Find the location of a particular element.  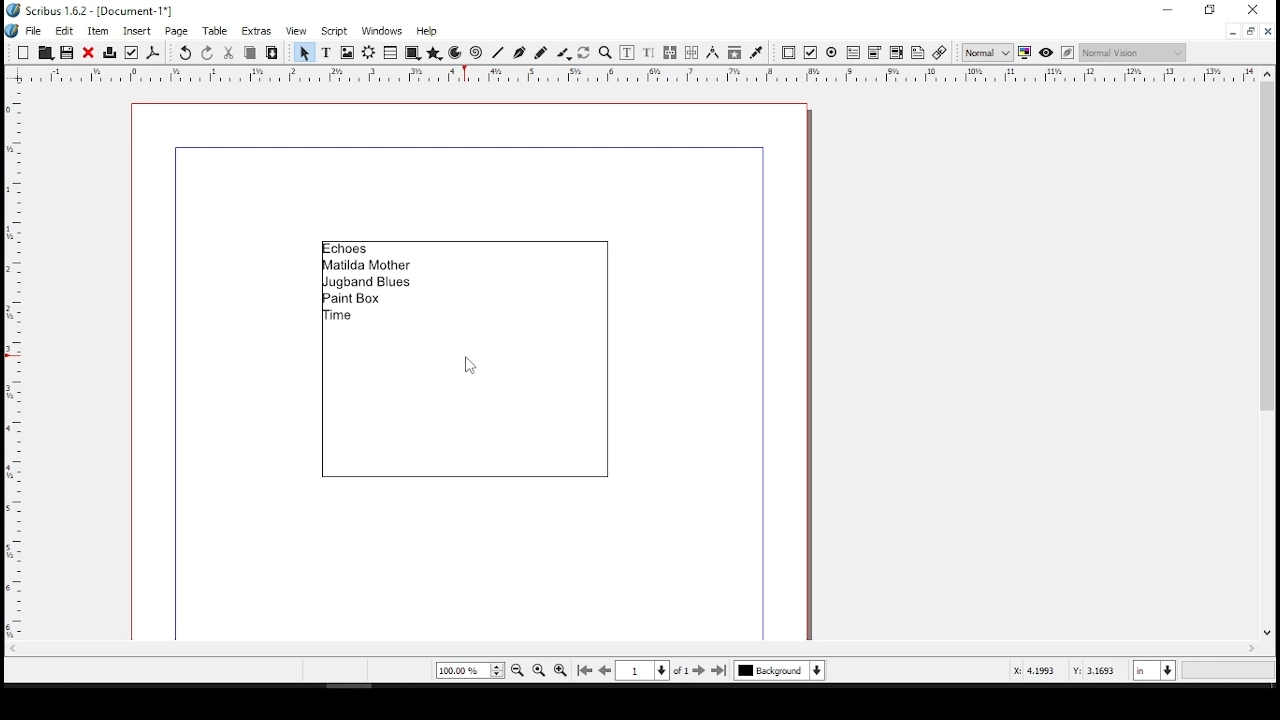

select image preview quality is located at coordinates (987, 52).